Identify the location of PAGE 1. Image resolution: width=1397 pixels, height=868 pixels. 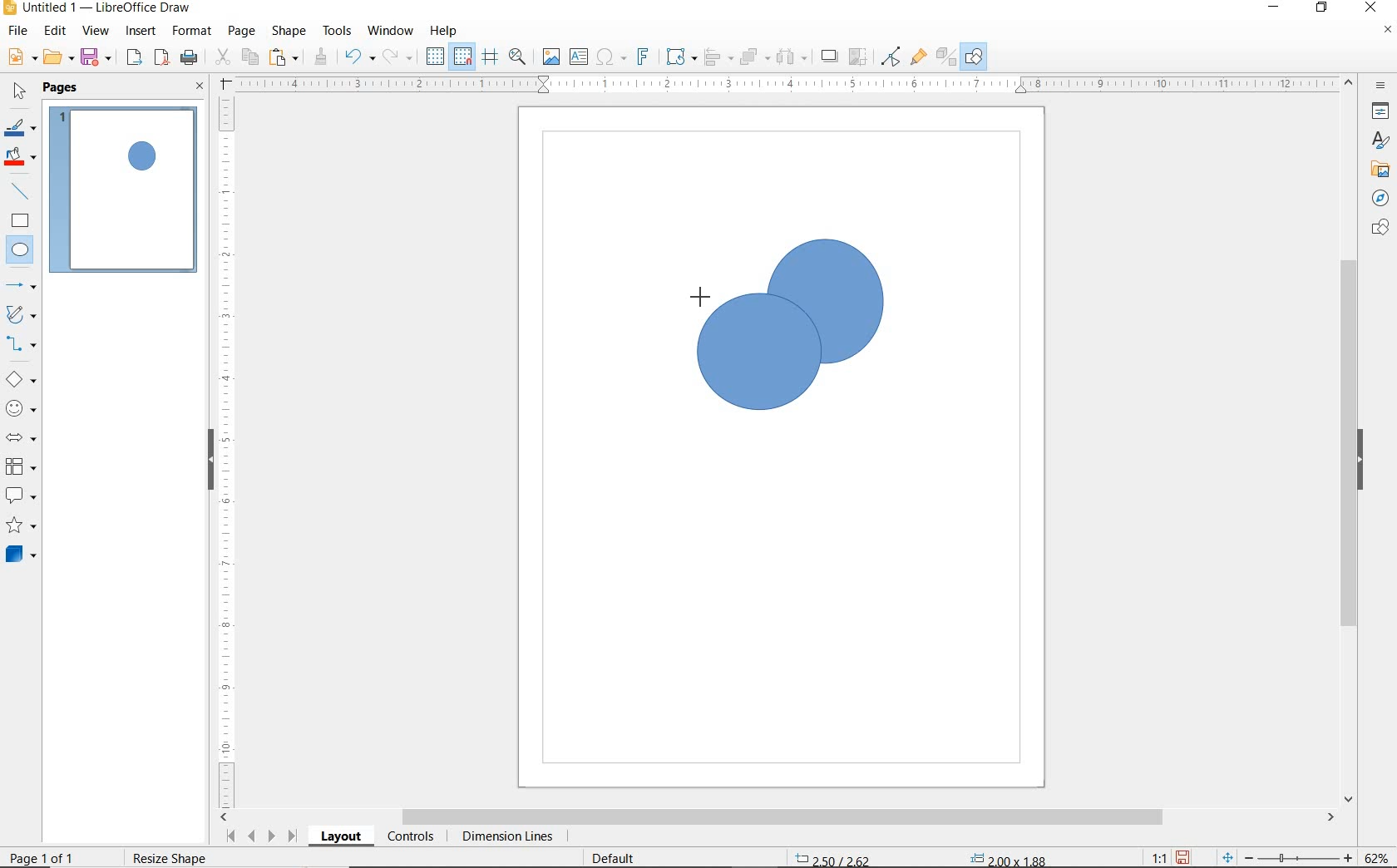
(124, 195).